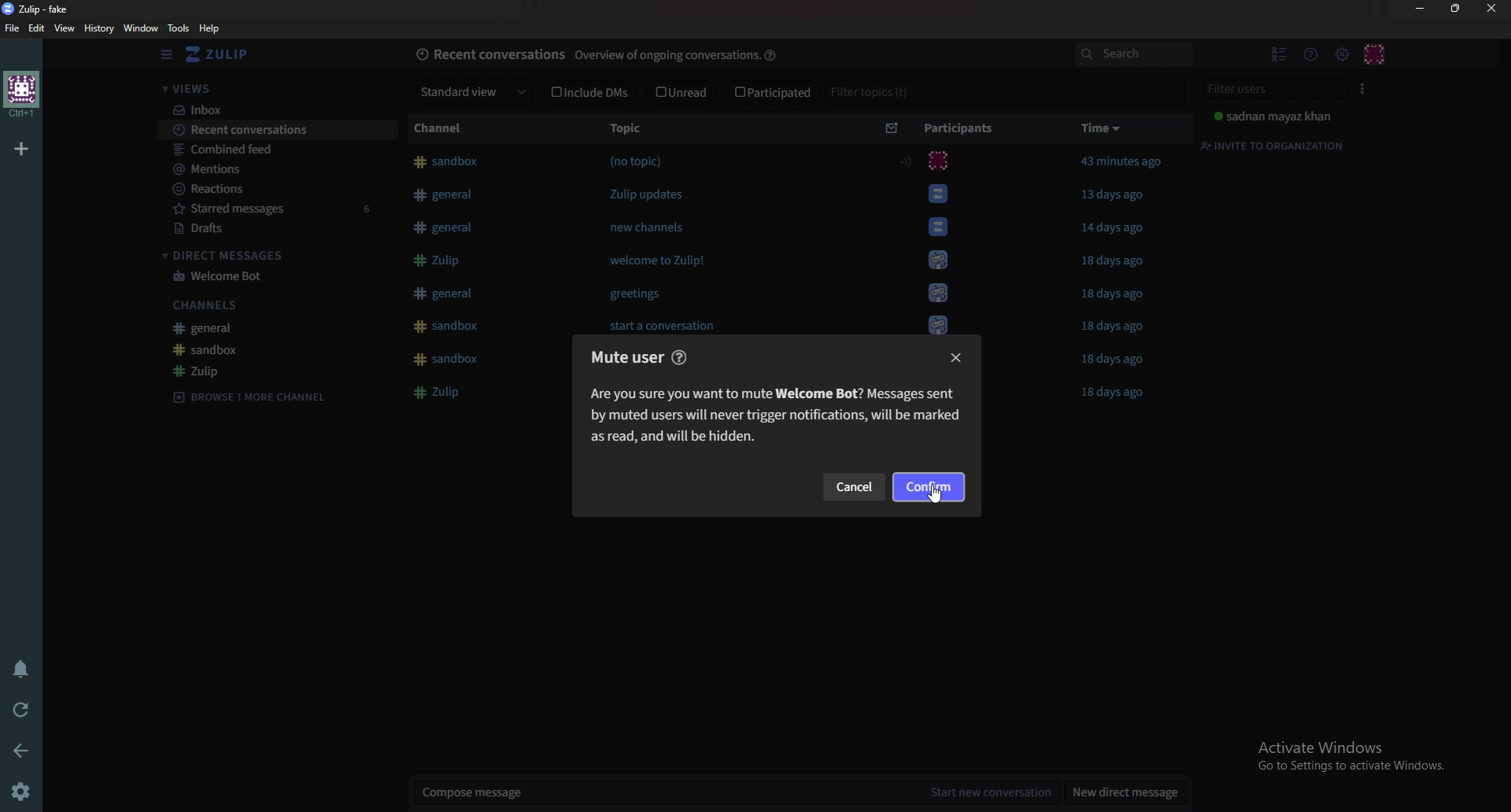  Describe the element at coordinates (1118, 327) in the screenshot. I see `18 days ago` at that location.